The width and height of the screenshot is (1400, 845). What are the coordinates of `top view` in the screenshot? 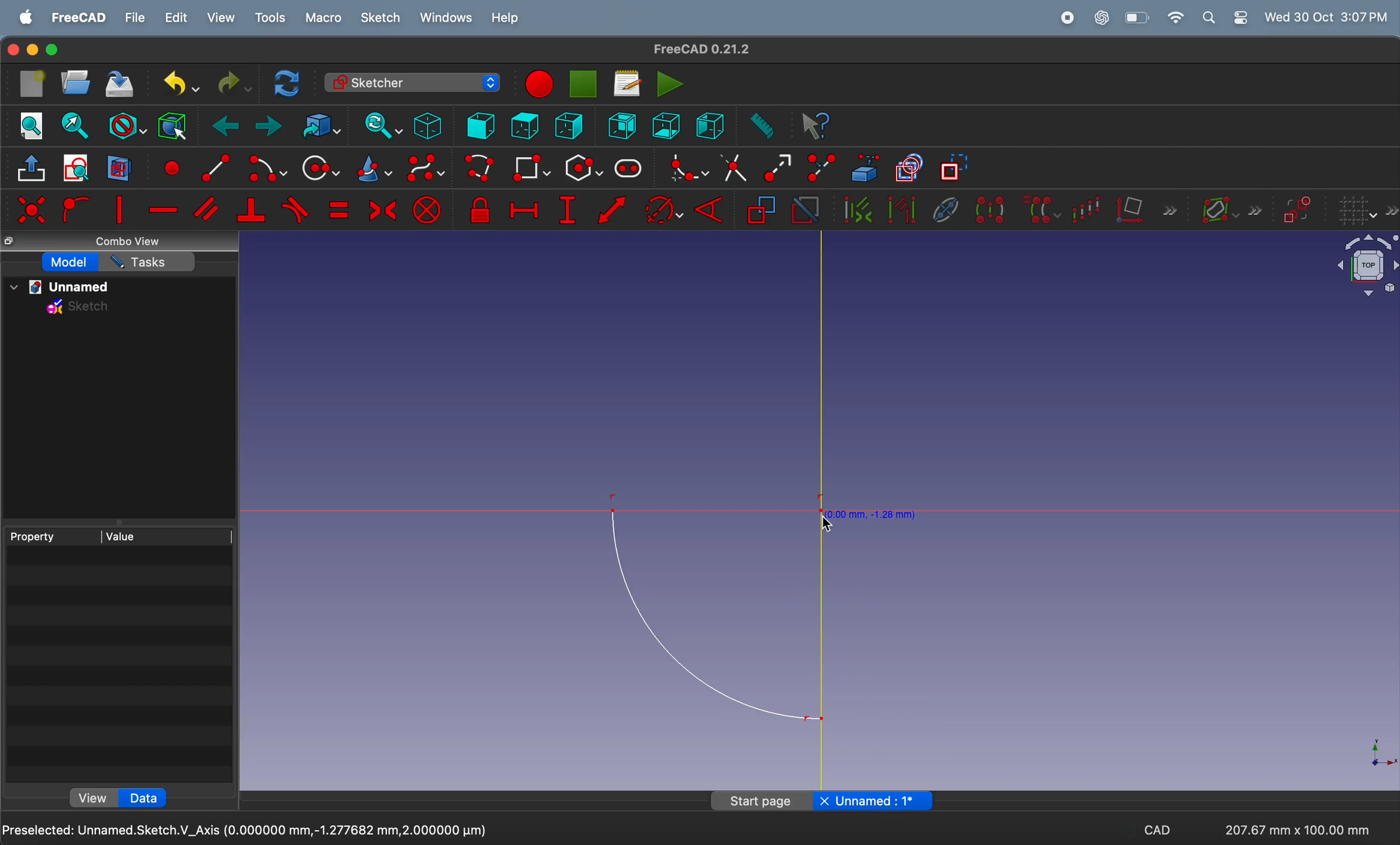 It's located at (524, 125).